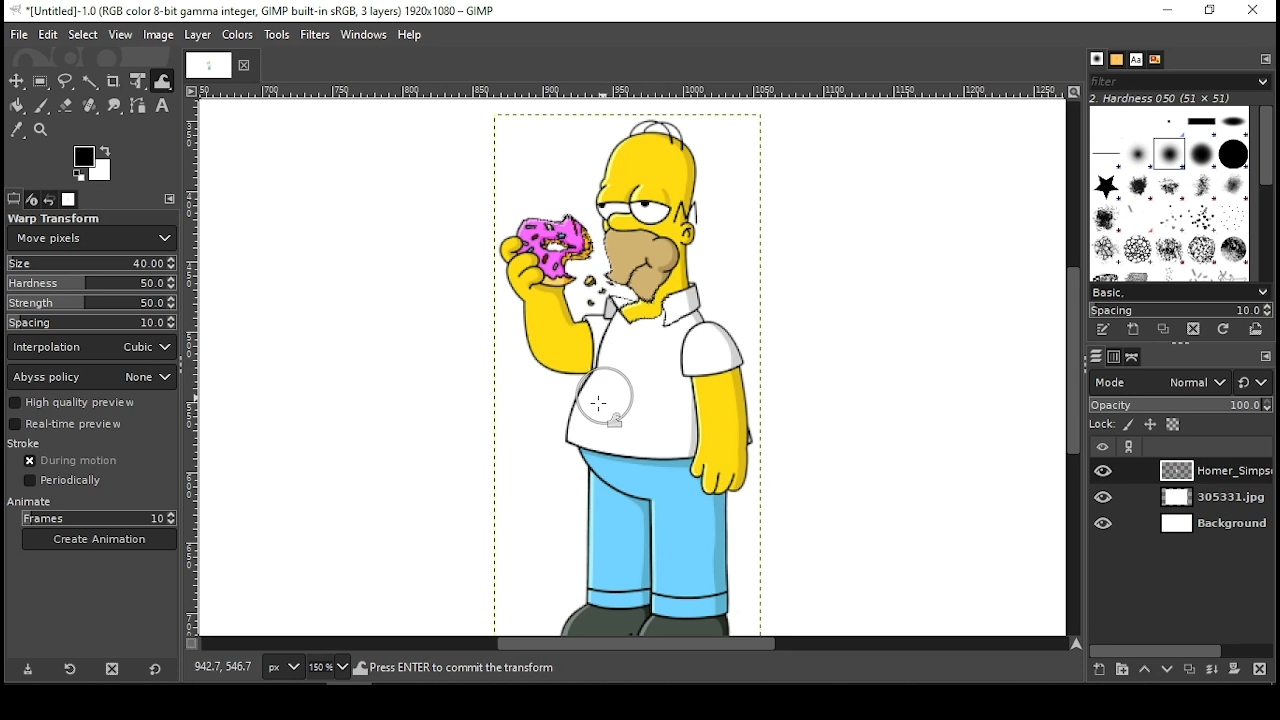 The width and height of the screenshot is (1280, 720). Describe the element at coordinates (162, 105) in the screenshot. I see `text tool` at that location.